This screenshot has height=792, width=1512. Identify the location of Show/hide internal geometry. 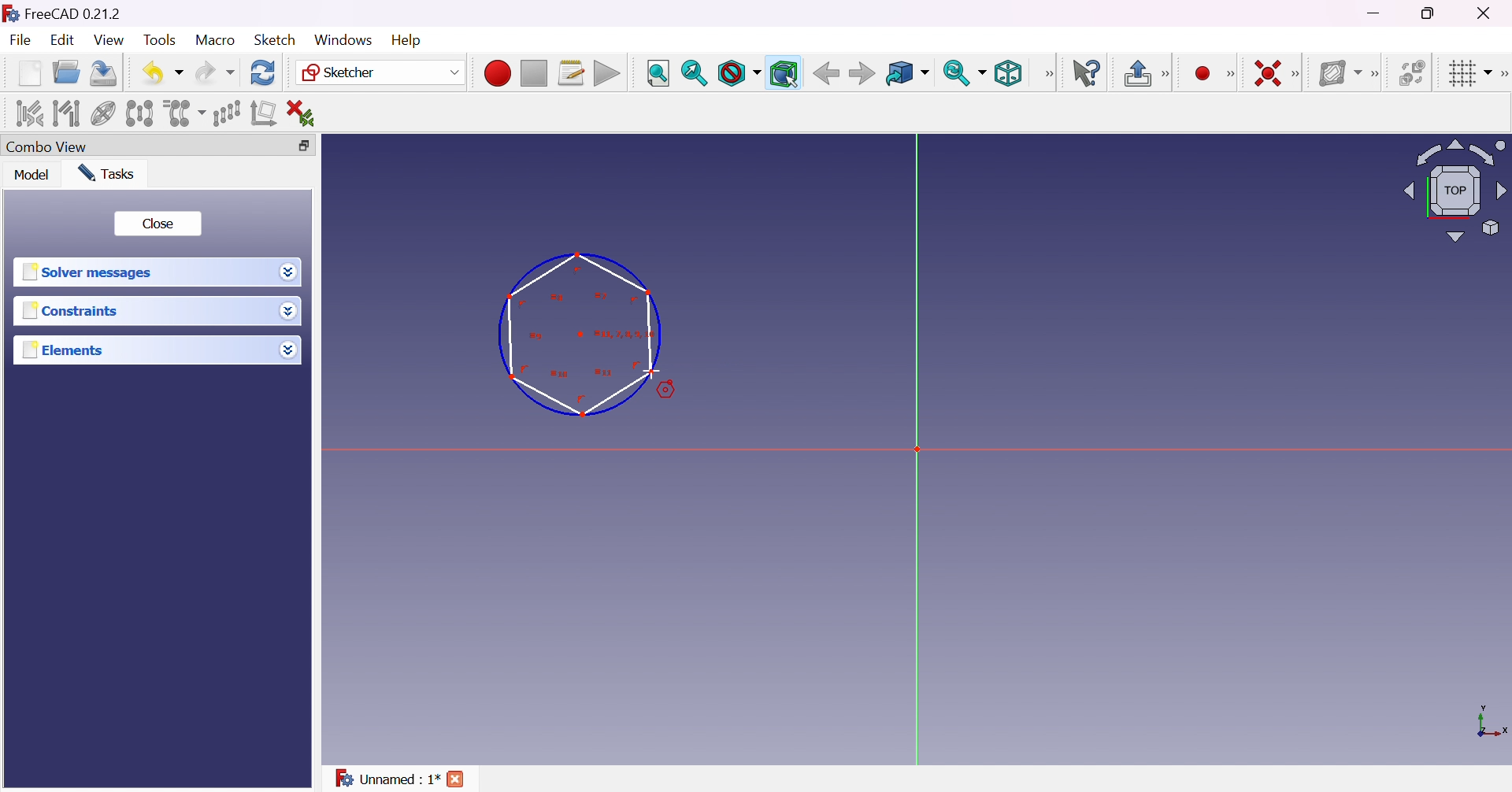
(104, 116).